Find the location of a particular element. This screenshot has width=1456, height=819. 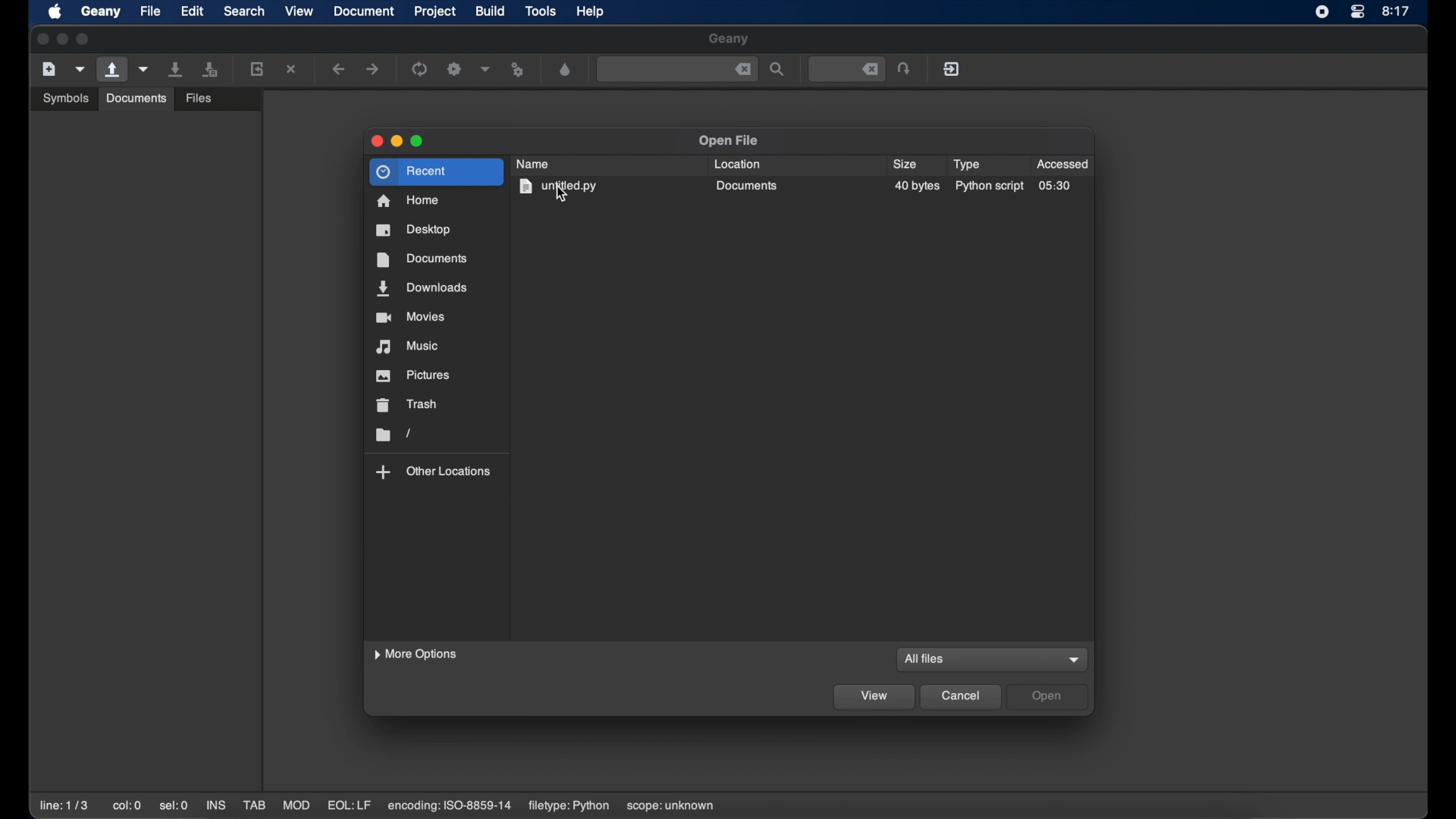

find the entered text in current file is located at coordinates (677, 70).